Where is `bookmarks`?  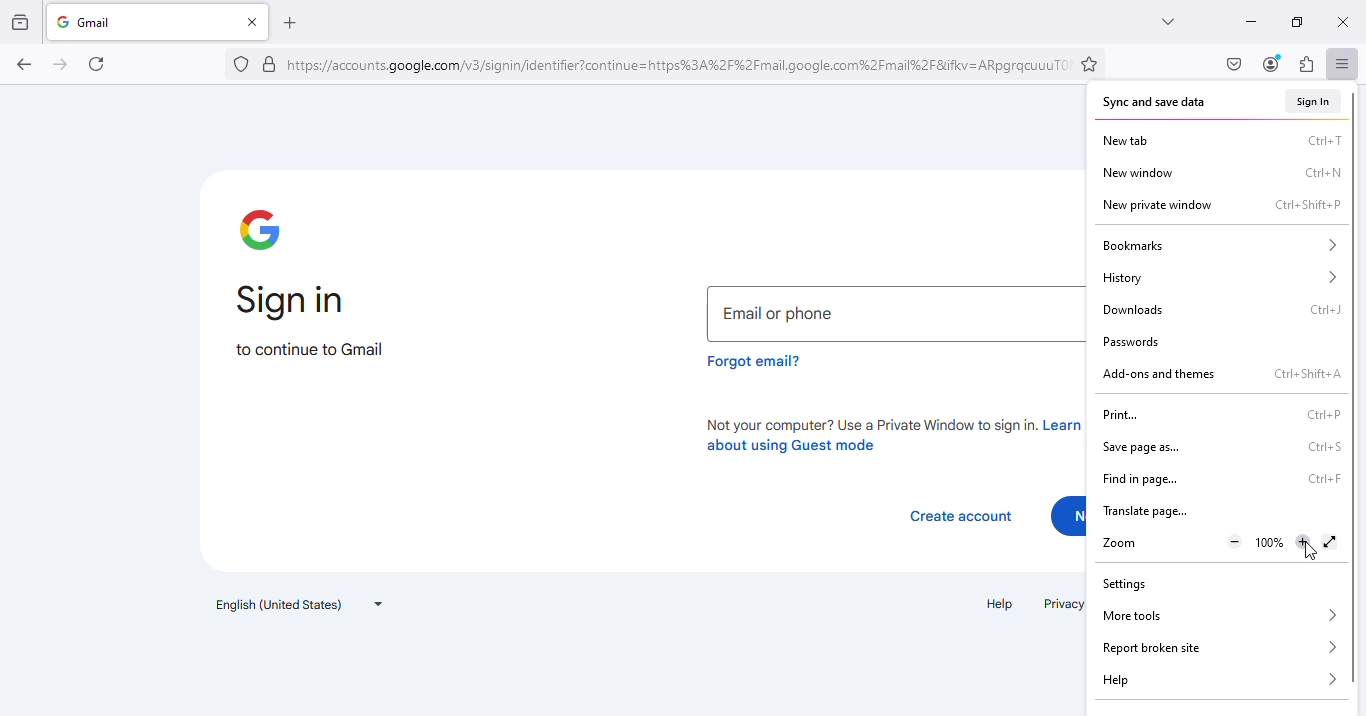
bookmarks is located at coordinates (1219, 246).